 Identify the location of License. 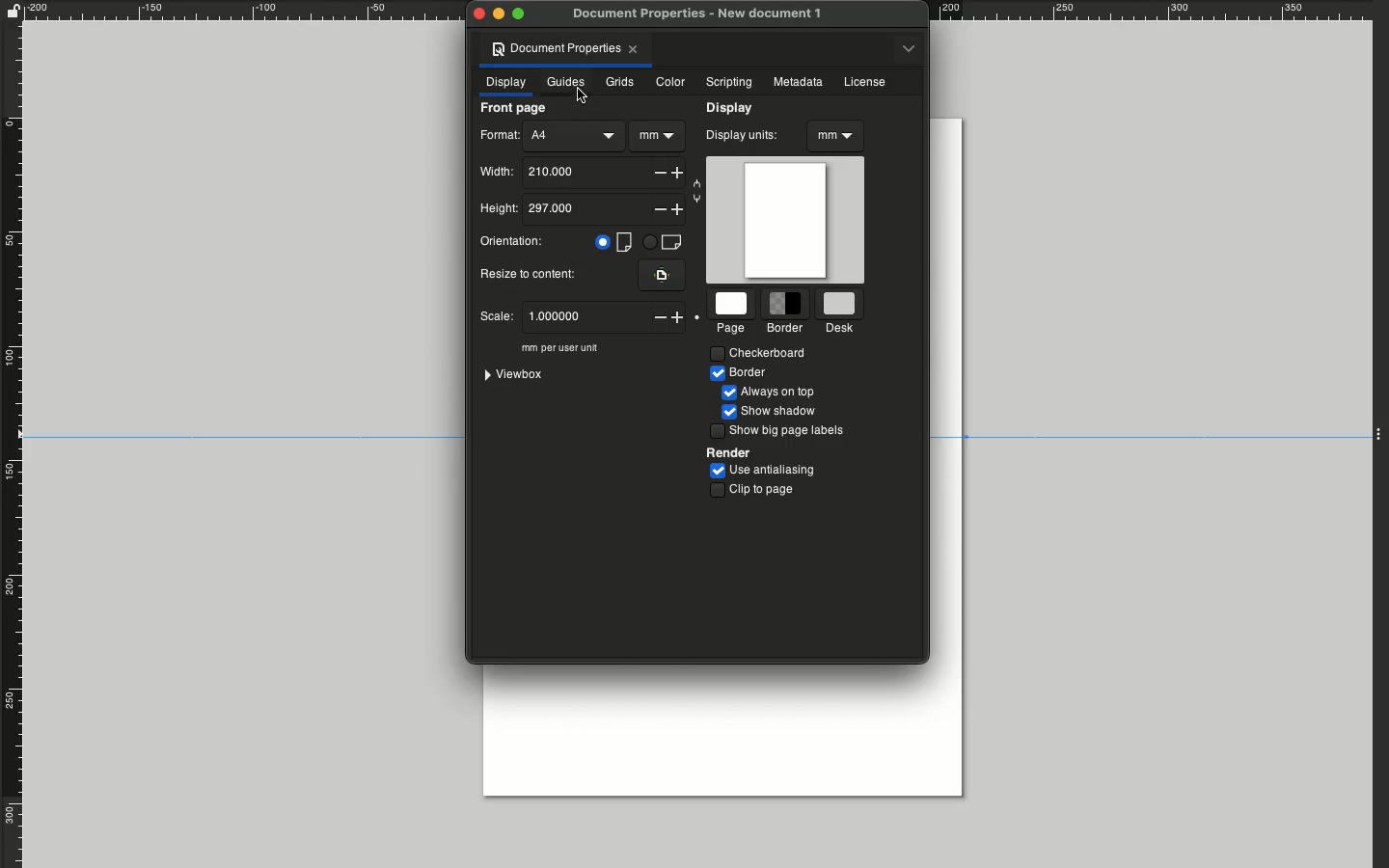
(864, 82).